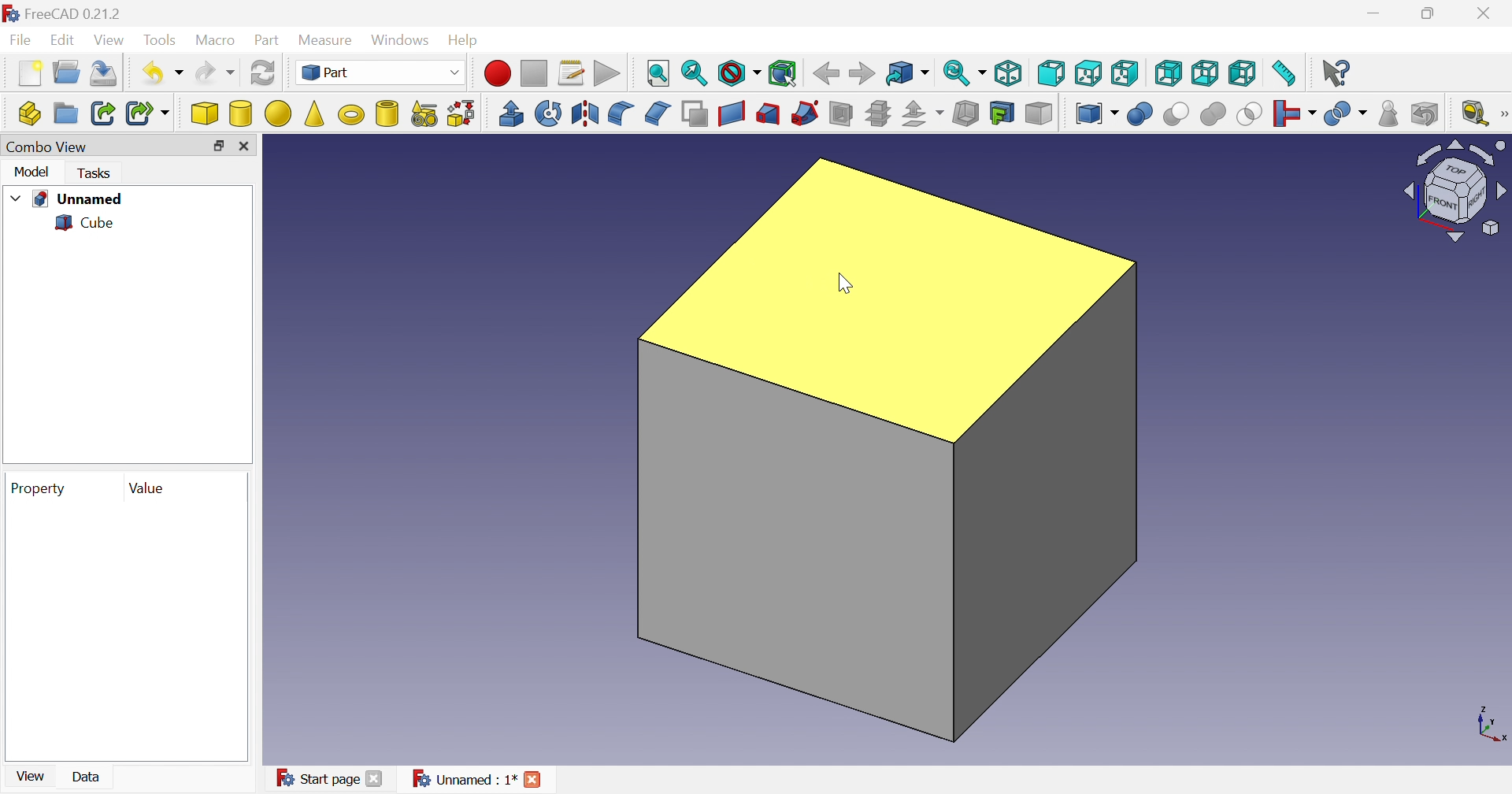  What do you see at coordinates (1215, 113) in the screenshot?
I see `Union` at bounding box center [1215, 113].